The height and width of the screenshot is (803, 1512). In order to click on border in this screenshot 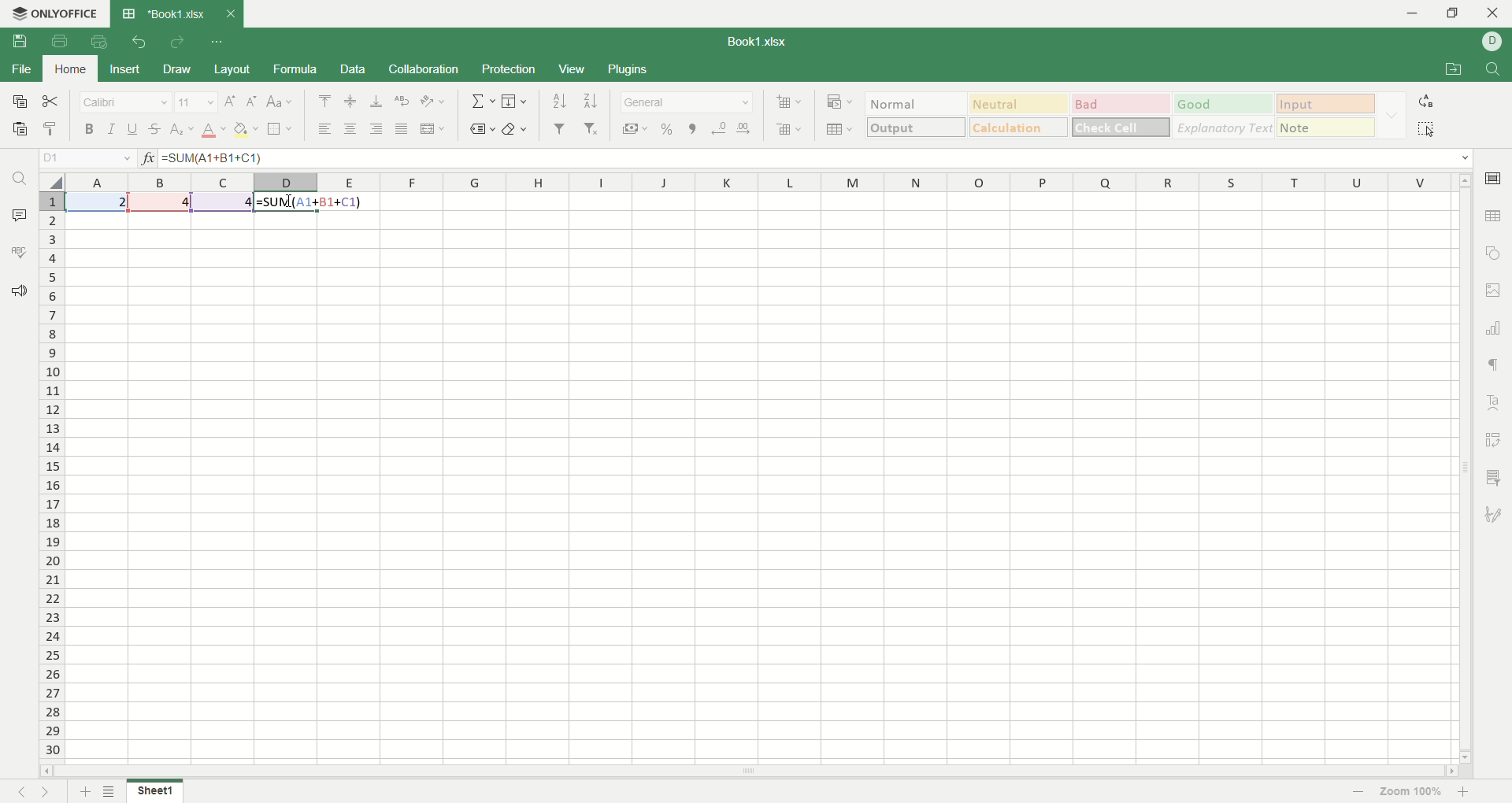, I will do `click(281, 128)`.